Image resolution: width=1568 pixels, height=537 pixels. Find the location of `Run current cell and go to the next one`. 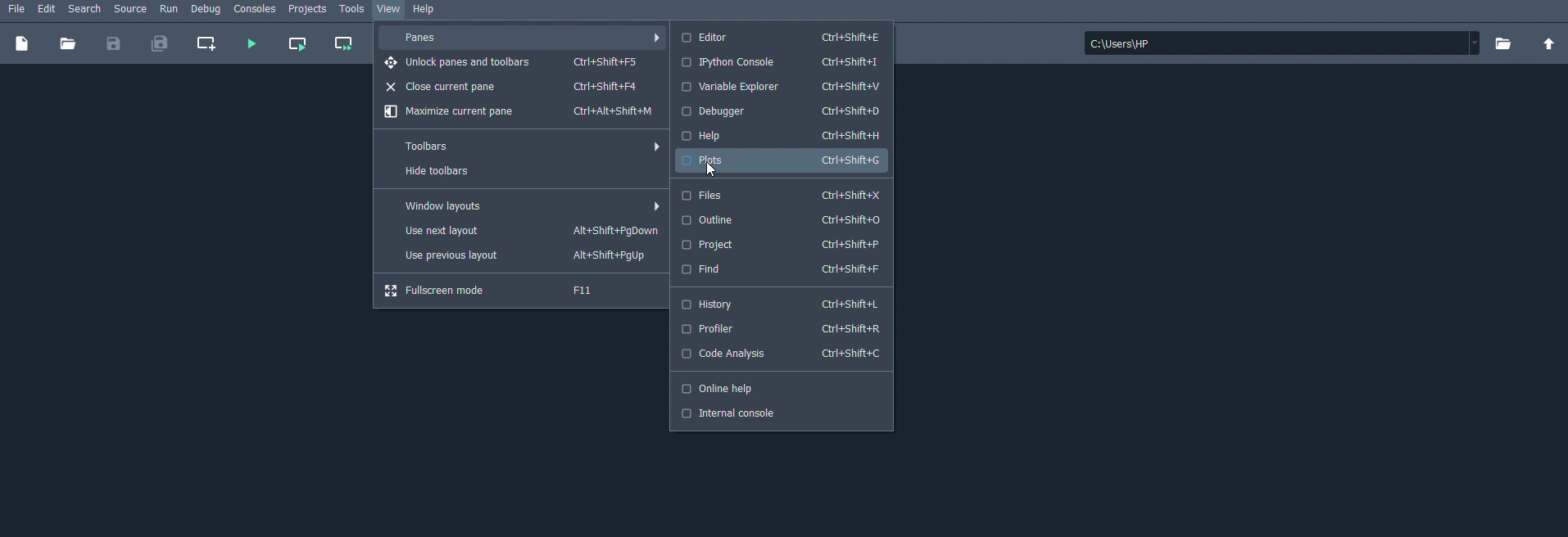

Run current cell and go to the next one is located at coordinates (342, 43).